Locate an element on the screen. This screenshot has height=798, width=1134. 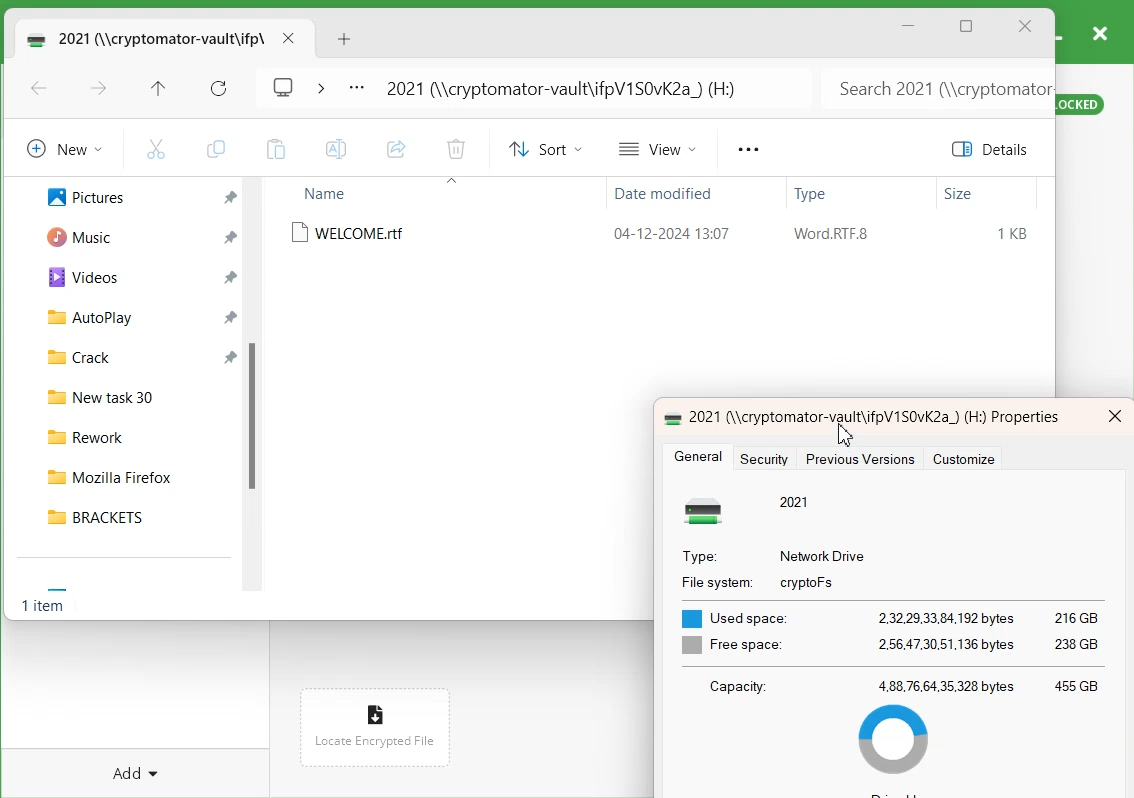
Close is located at coordinates (1025, 27).